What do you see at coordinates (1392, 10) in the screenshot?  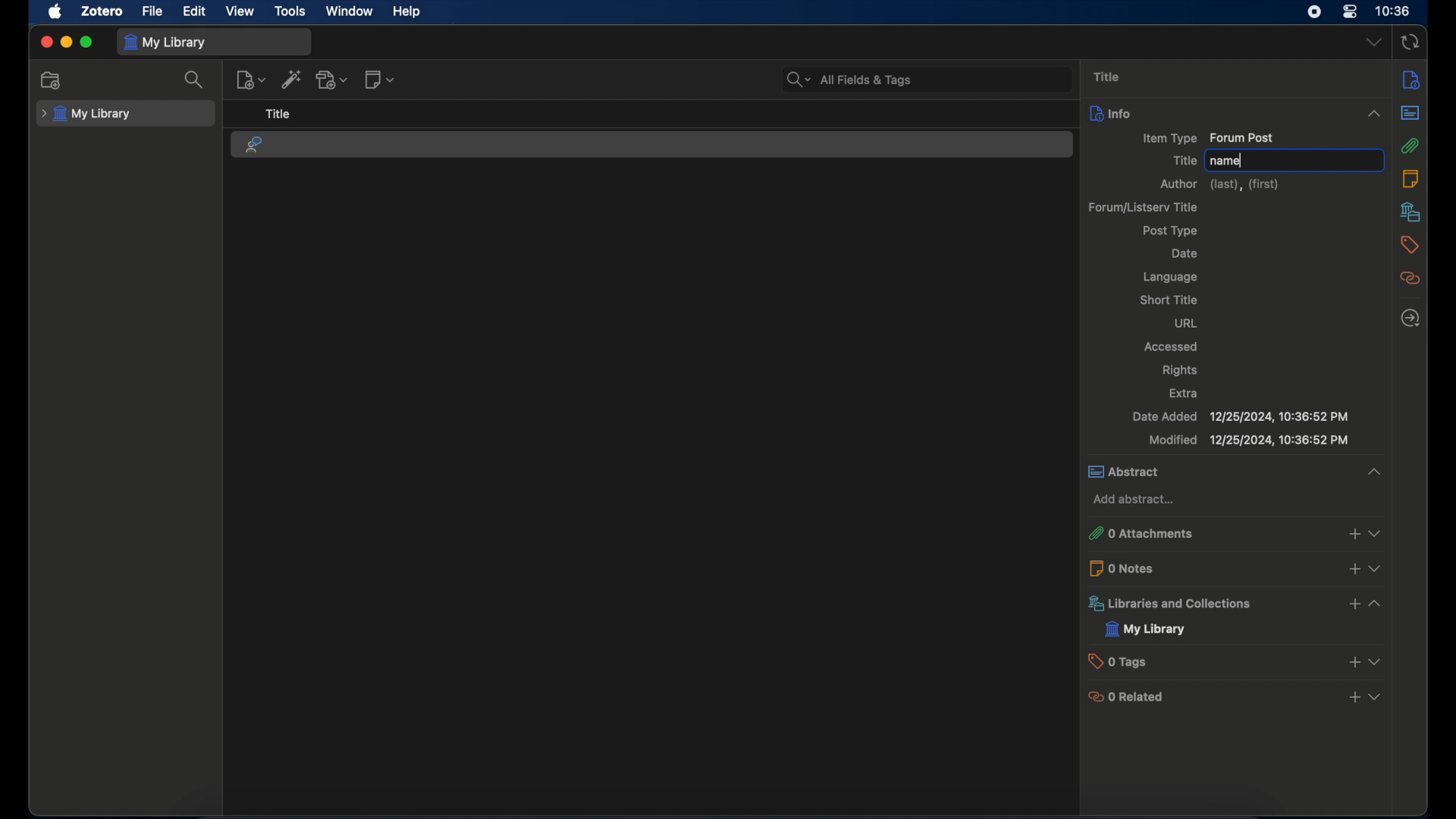 I see `time` at bounding box center [1392, 10].